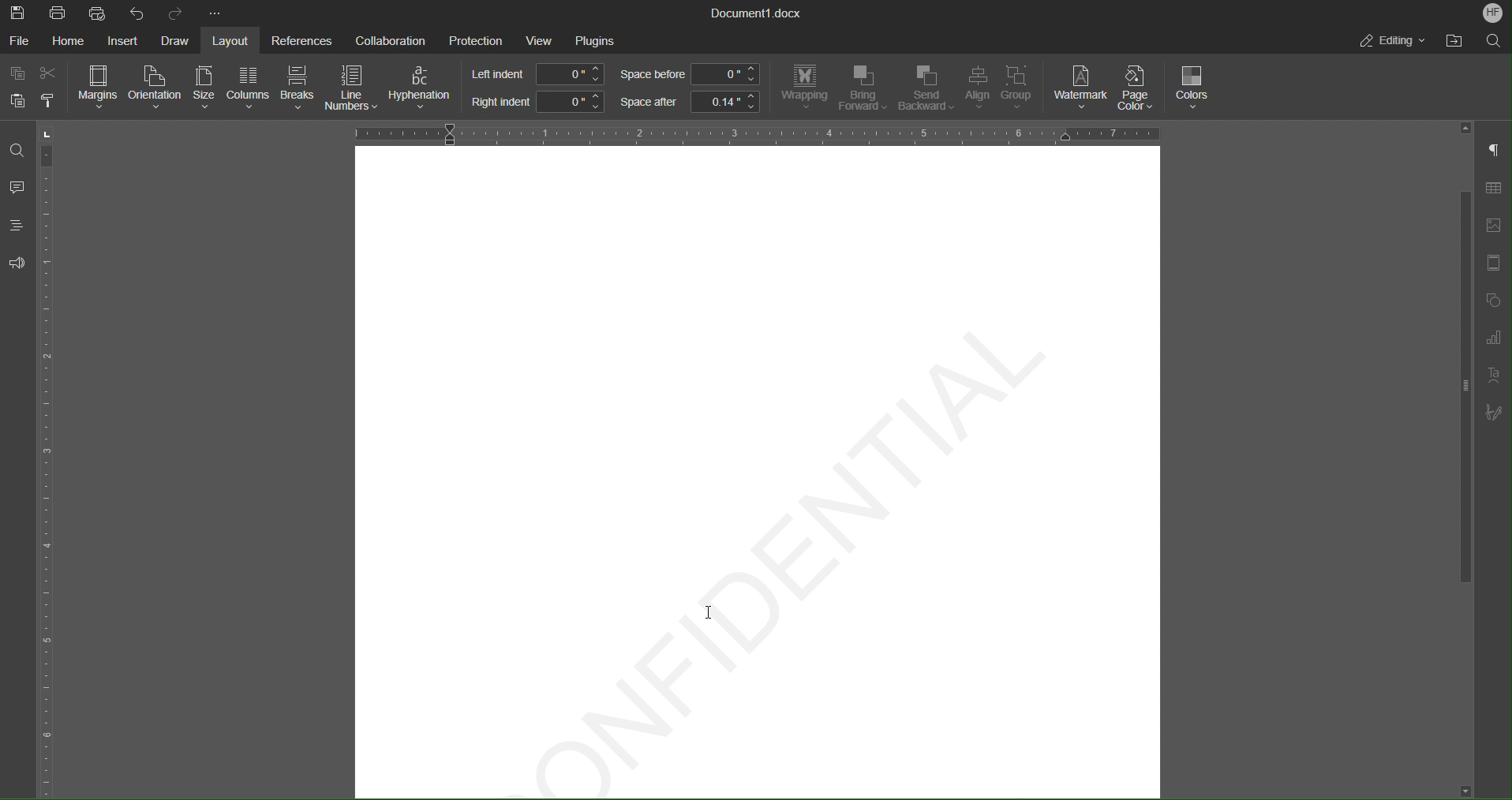  What do you see at coordinates (1492, 264) in the screenshot?
I see `Page Template` at bounding box center [1492, 264].